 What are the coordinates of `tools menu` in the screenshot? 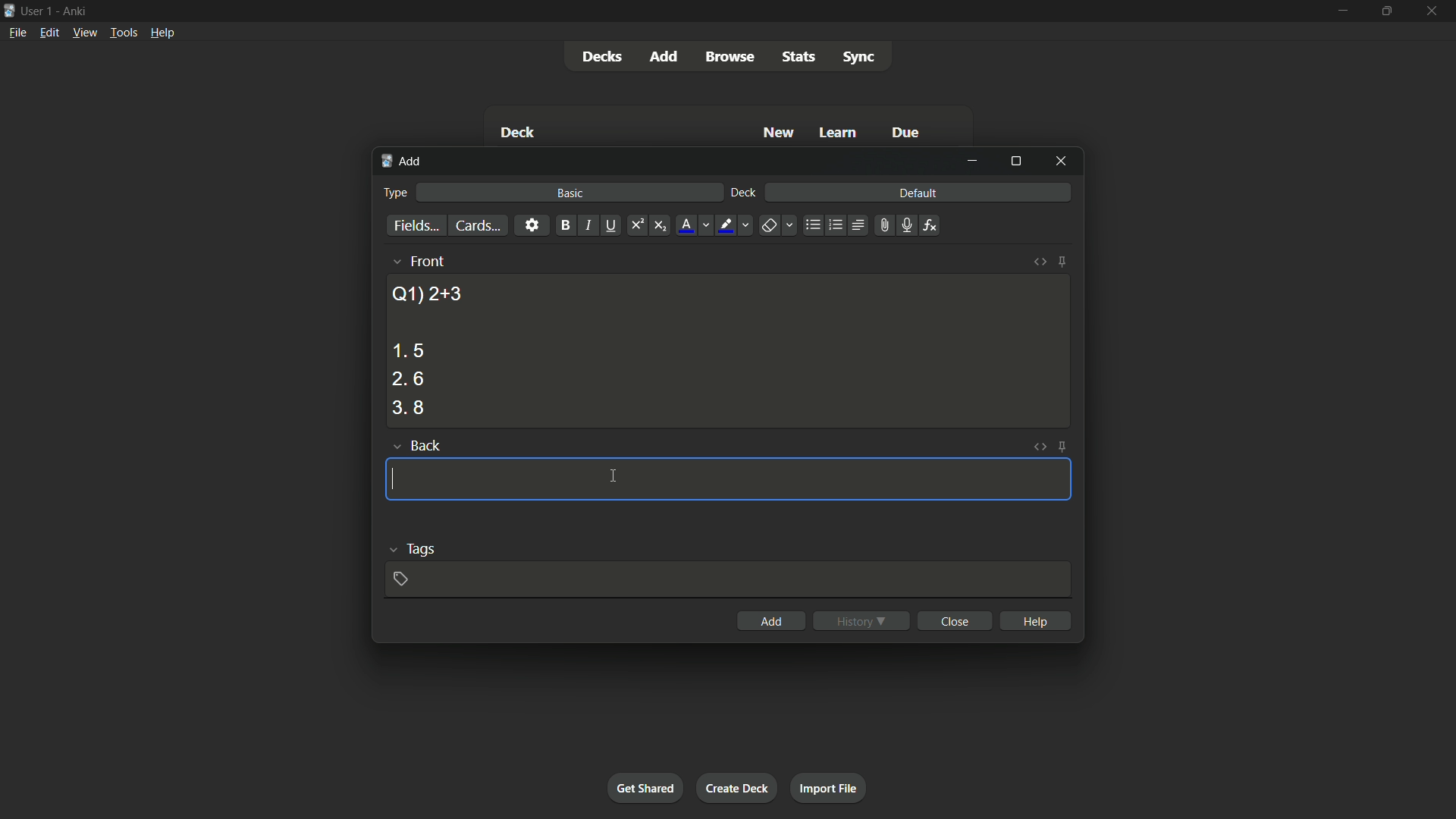 It's located at (123, 32).